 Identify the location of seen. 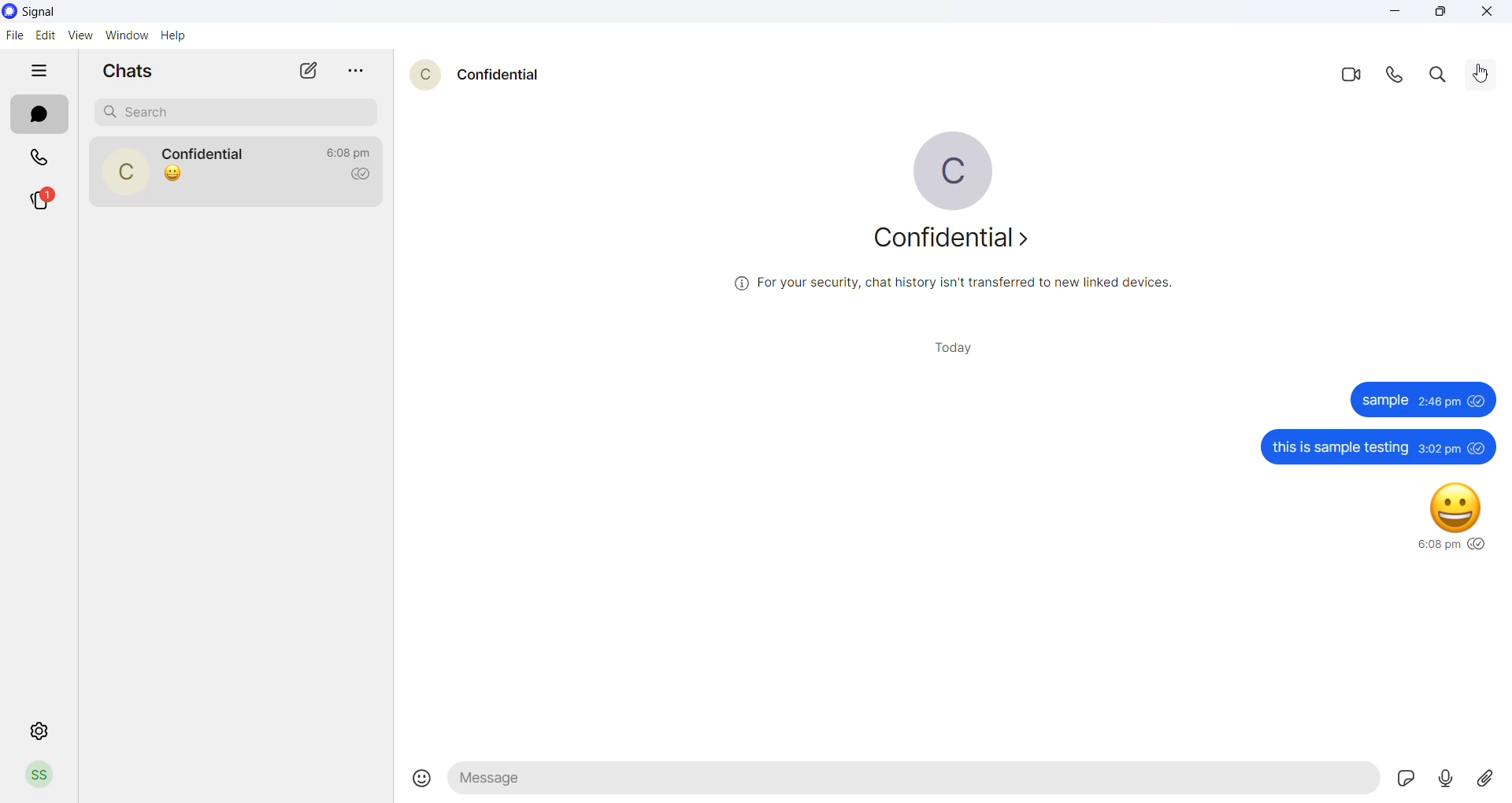
(1477, 449).